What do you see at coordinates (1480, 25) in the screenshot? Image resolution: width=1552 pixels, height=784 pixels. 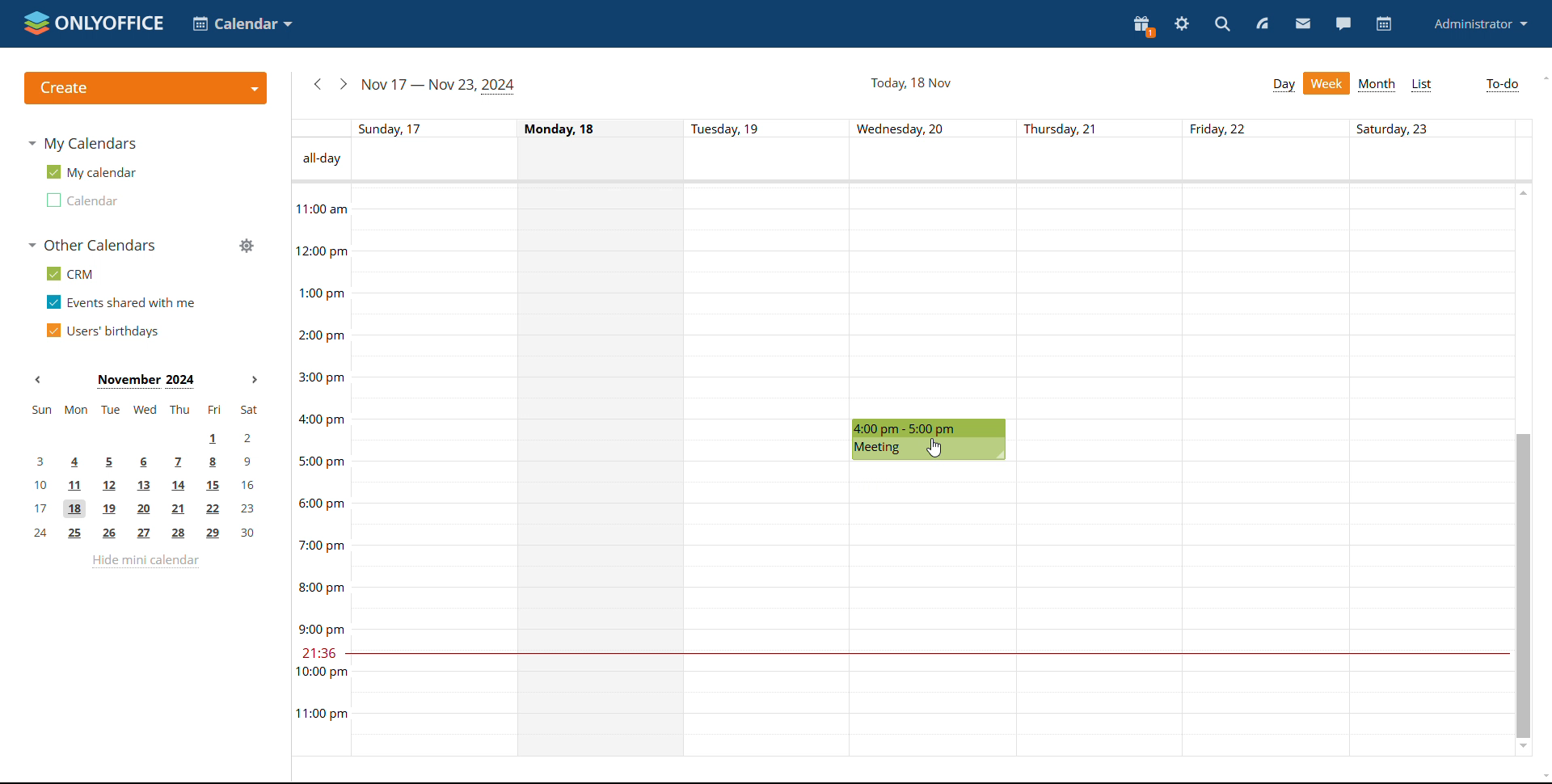 I see `profile` at bounding box center [1480, 25].